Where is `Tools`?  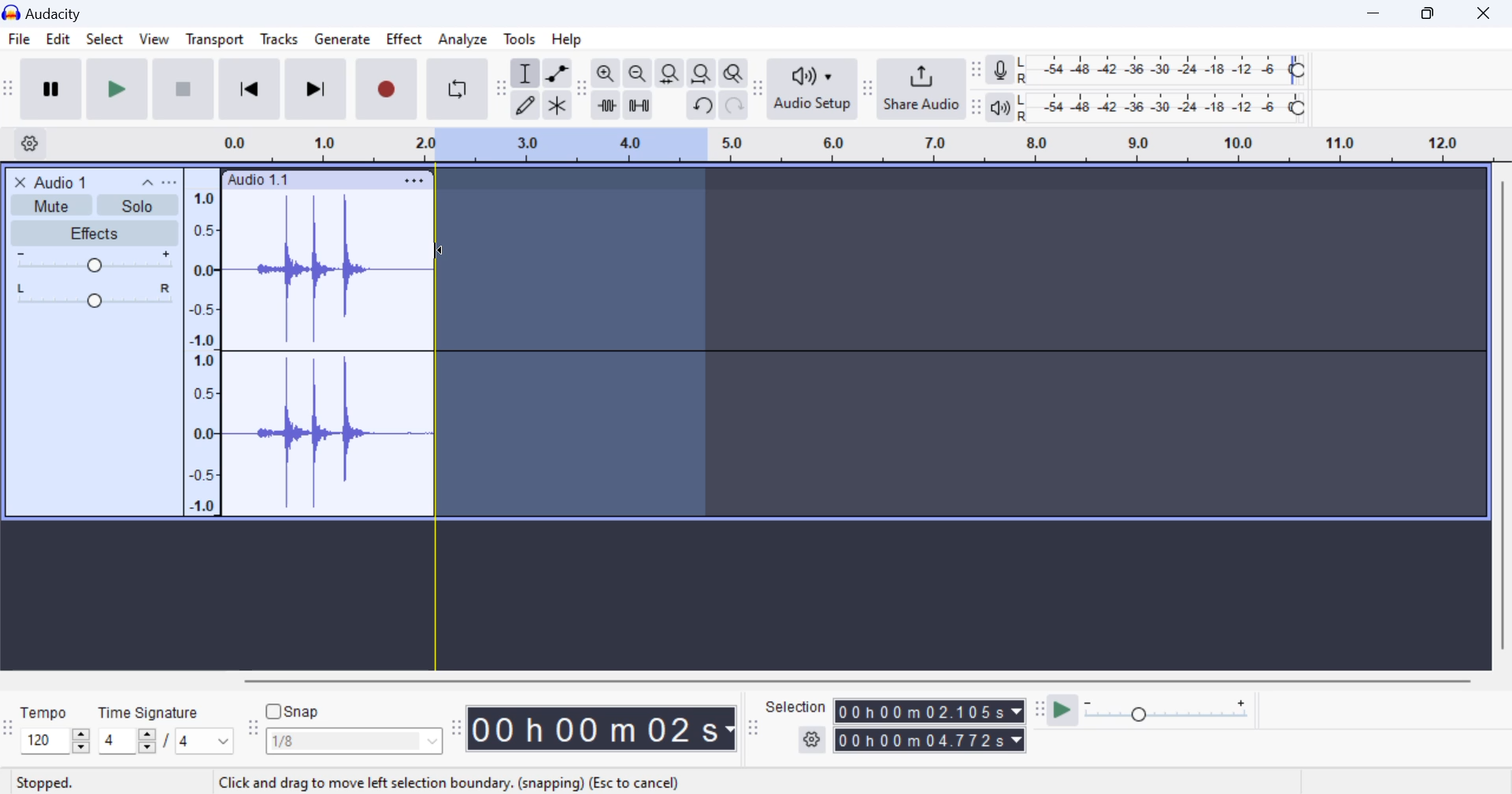
Tools is located at coordinates (521, 38).